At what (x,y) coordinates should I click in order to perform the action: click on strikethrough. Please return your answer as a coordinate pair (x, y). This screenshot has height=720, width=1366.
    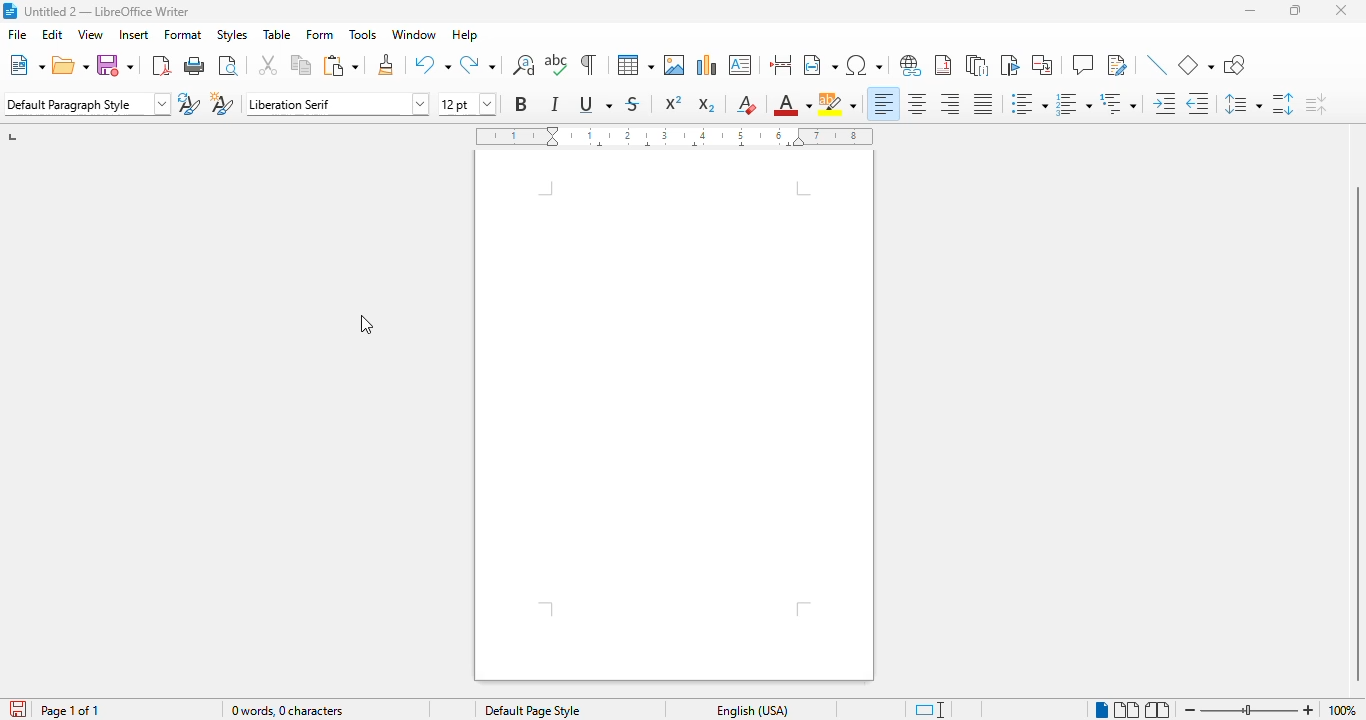
    Looking at the image, I should click on (633, 104).